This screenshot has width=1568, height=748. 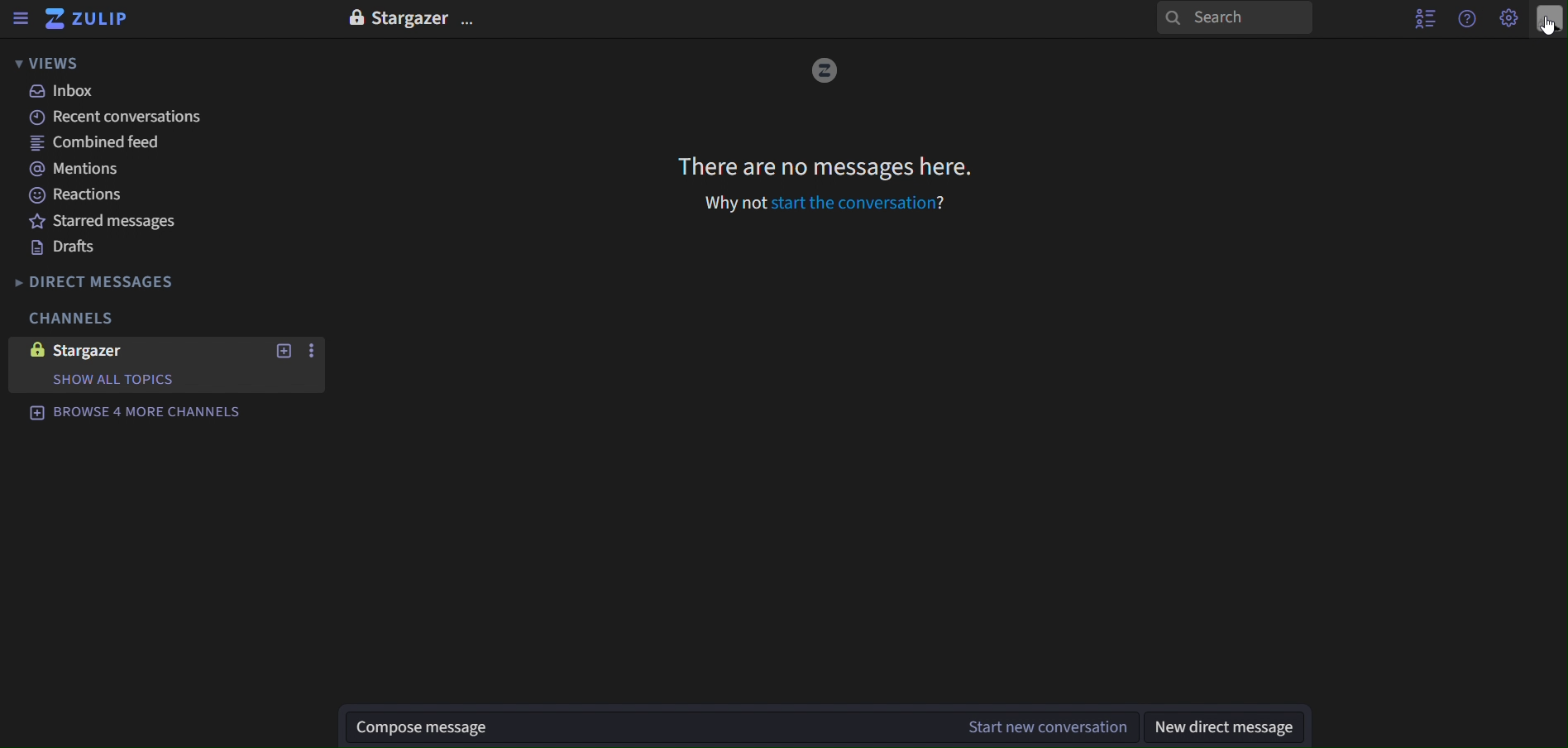 I want to click on start new conversation, so click(x=1049, y=726).